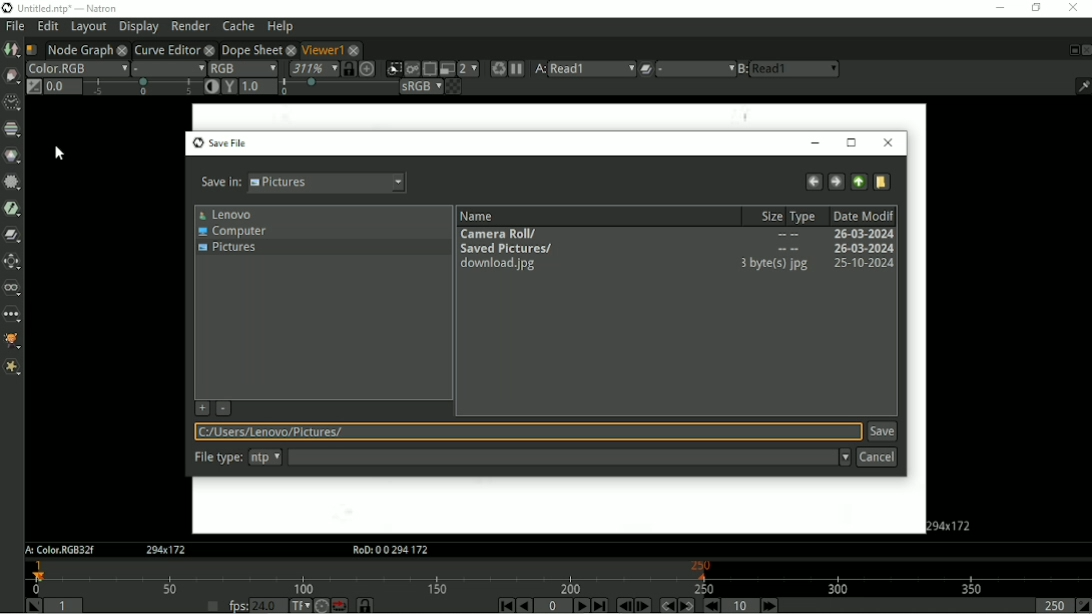 Image resolution: width=1092 pixels, height=614 pixels. I want to click on Go back, so click(812, 182).